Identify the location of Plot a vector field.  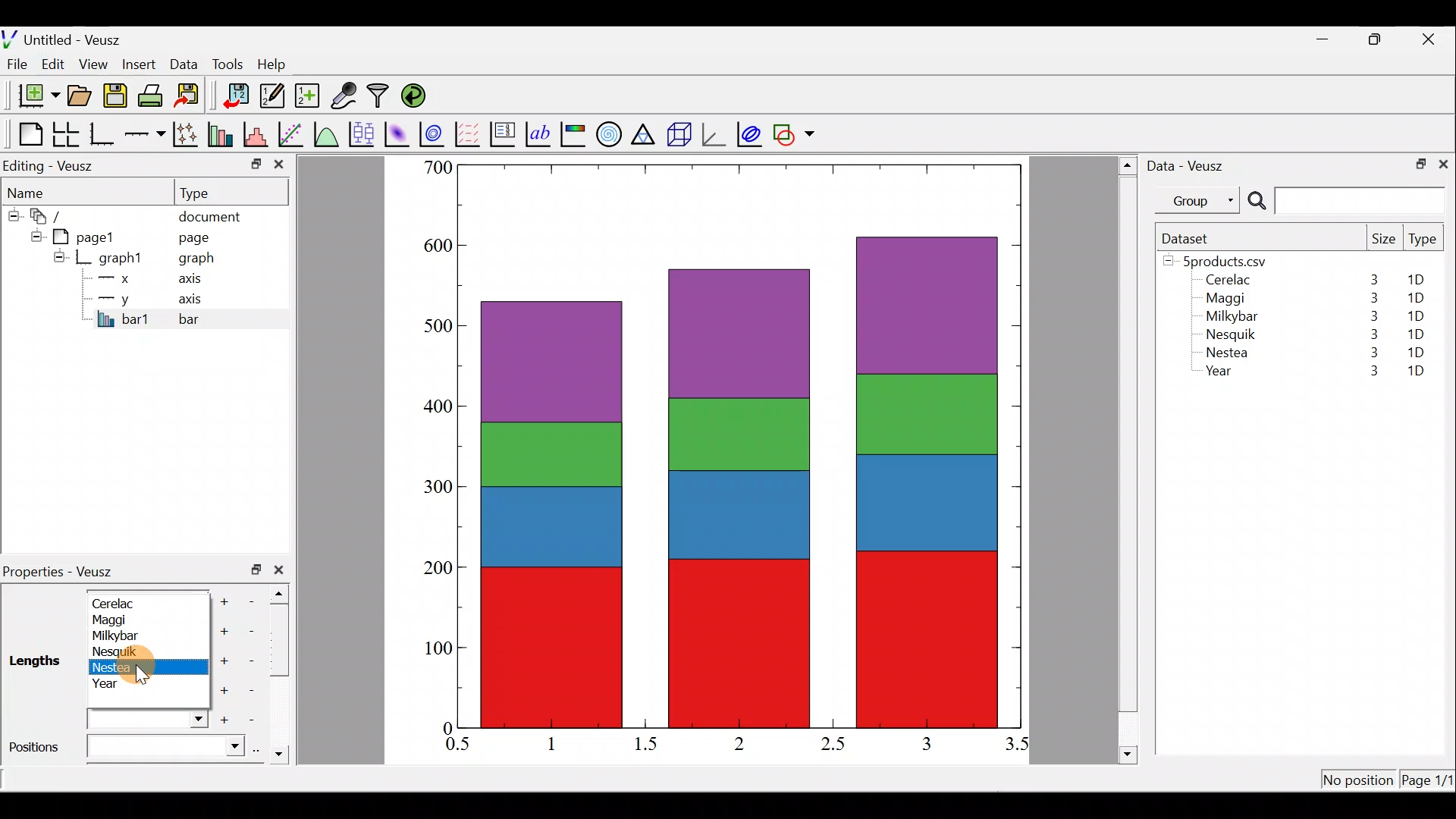
(470, 134).